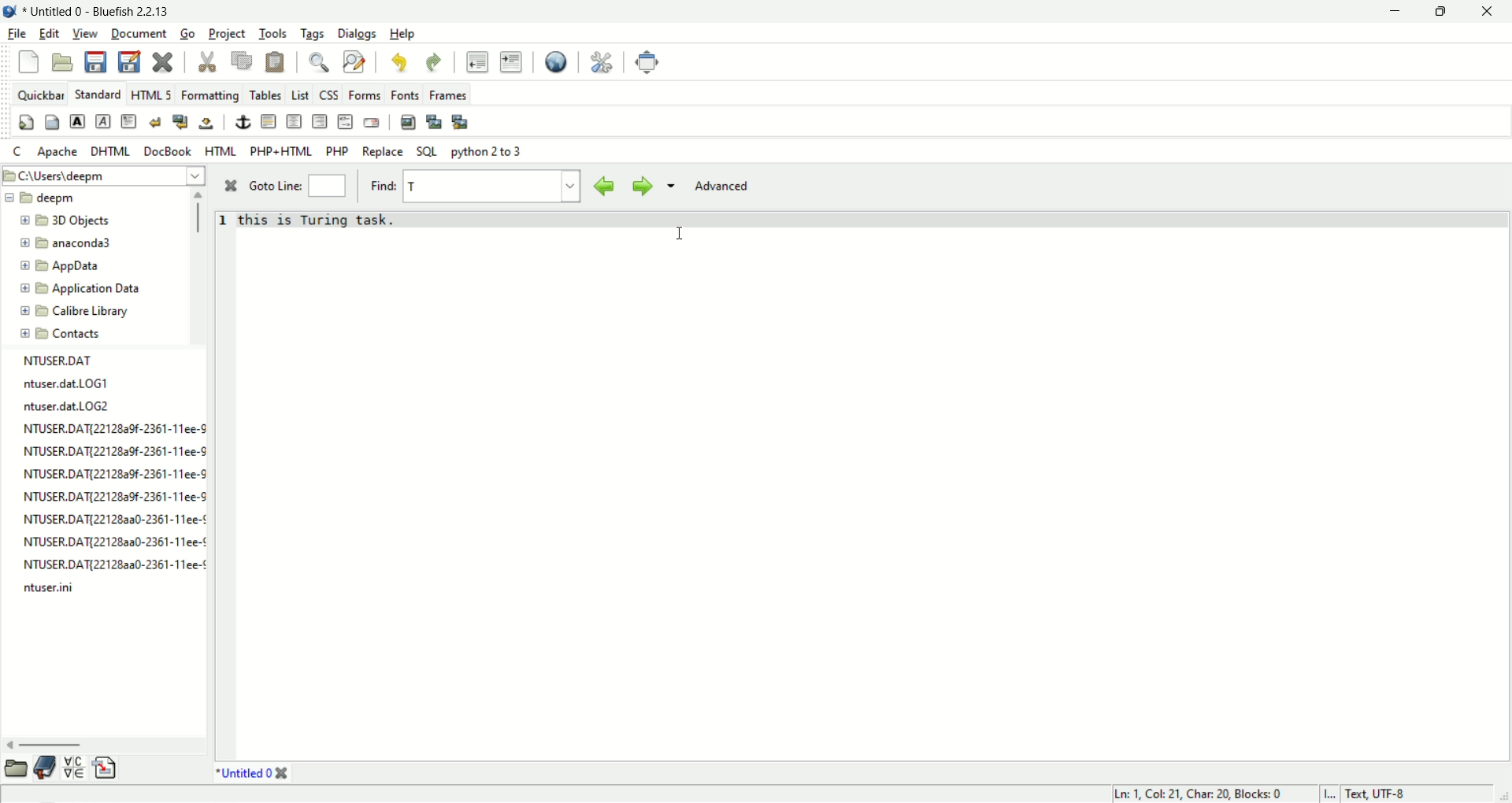  Describe the element at coordinates (409, 123) in the screenshot. I see `insert image` at that location.